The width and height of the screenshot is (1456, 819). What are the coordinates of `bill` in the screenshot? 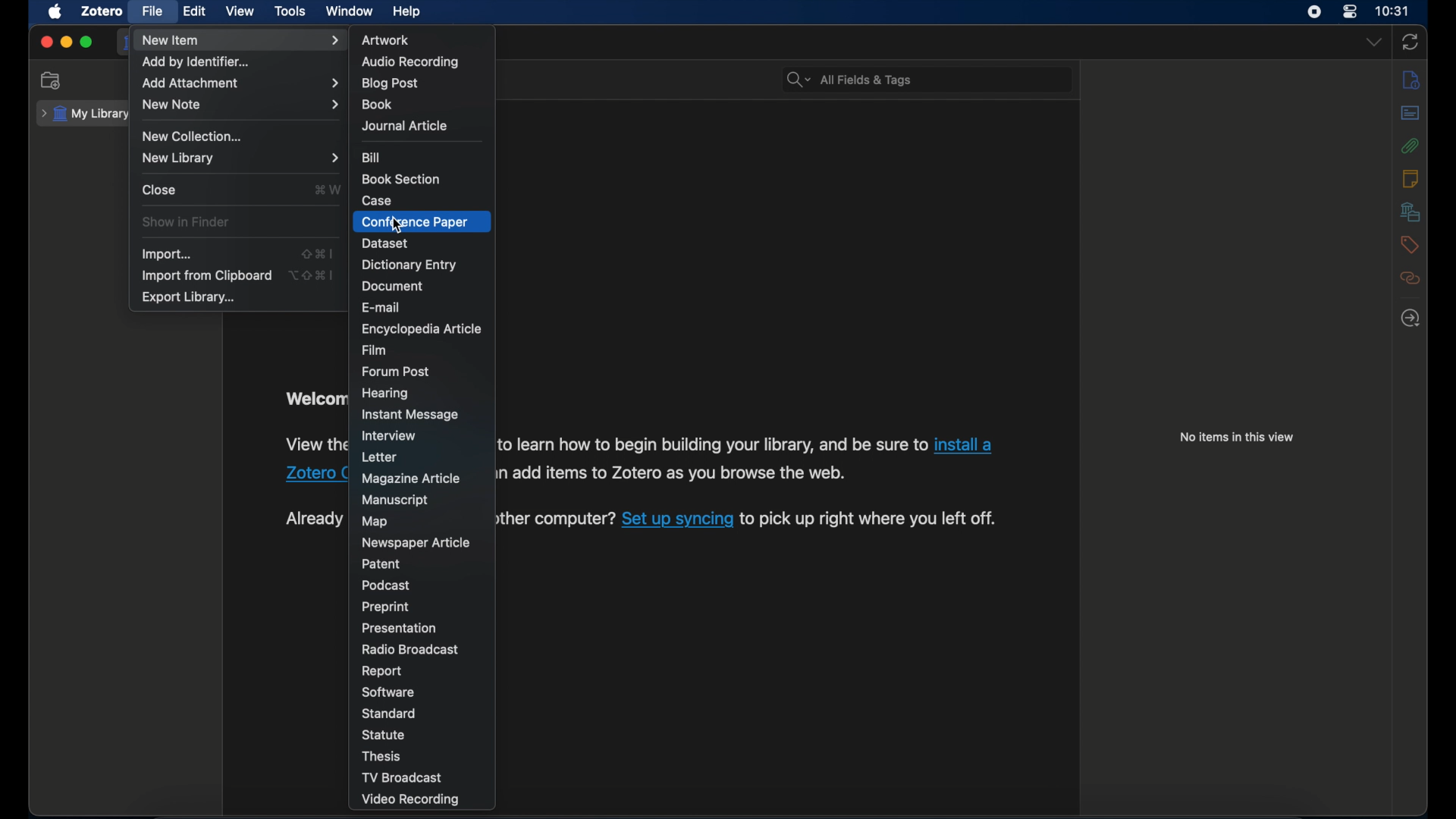 It's located at (370, 158).